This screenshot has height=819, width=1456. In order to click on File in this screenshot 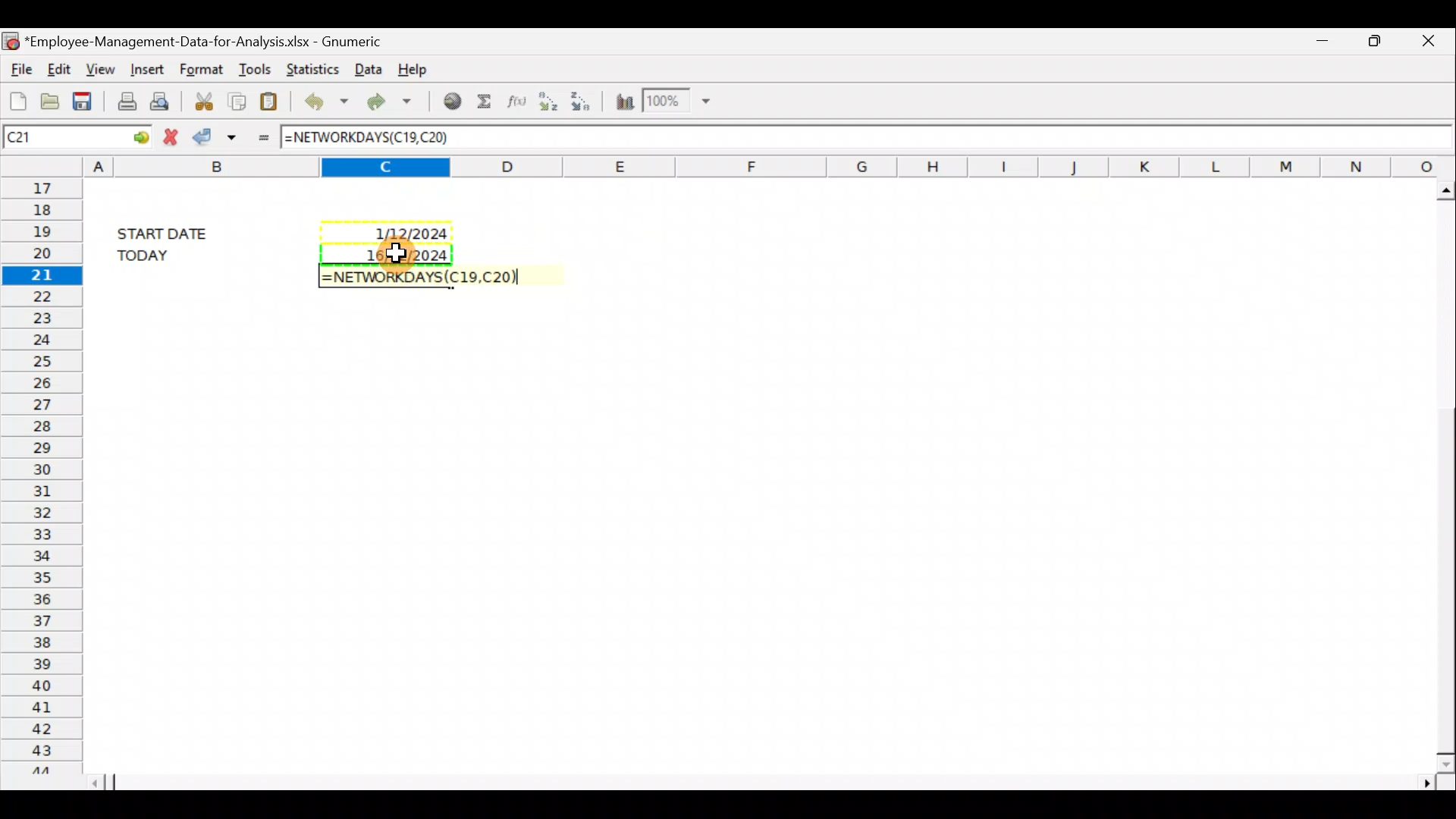, I will do `click(19, 67)`.